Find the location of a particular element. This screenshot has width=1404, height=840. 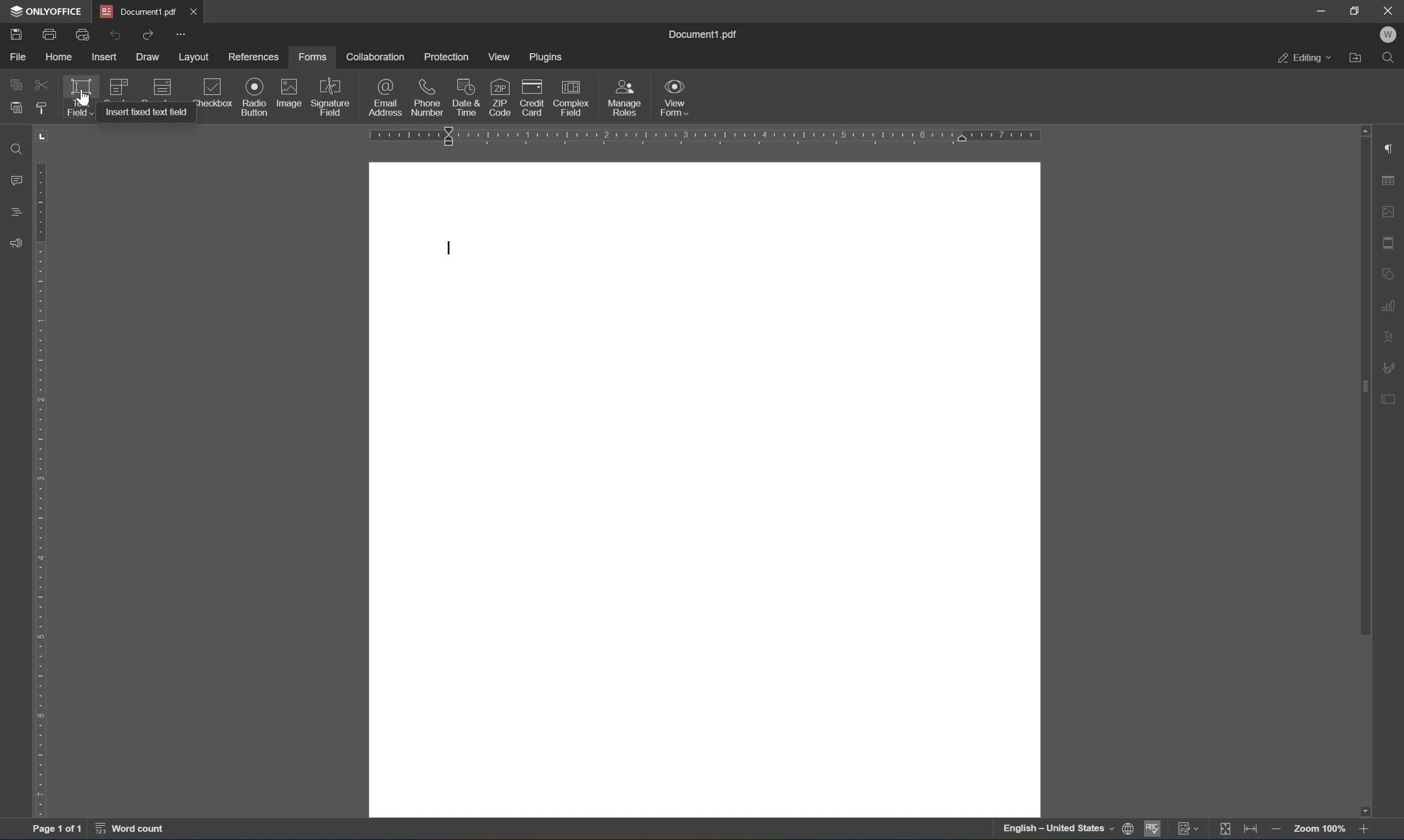

——
English — United States is located at coordinates (1046, 831).